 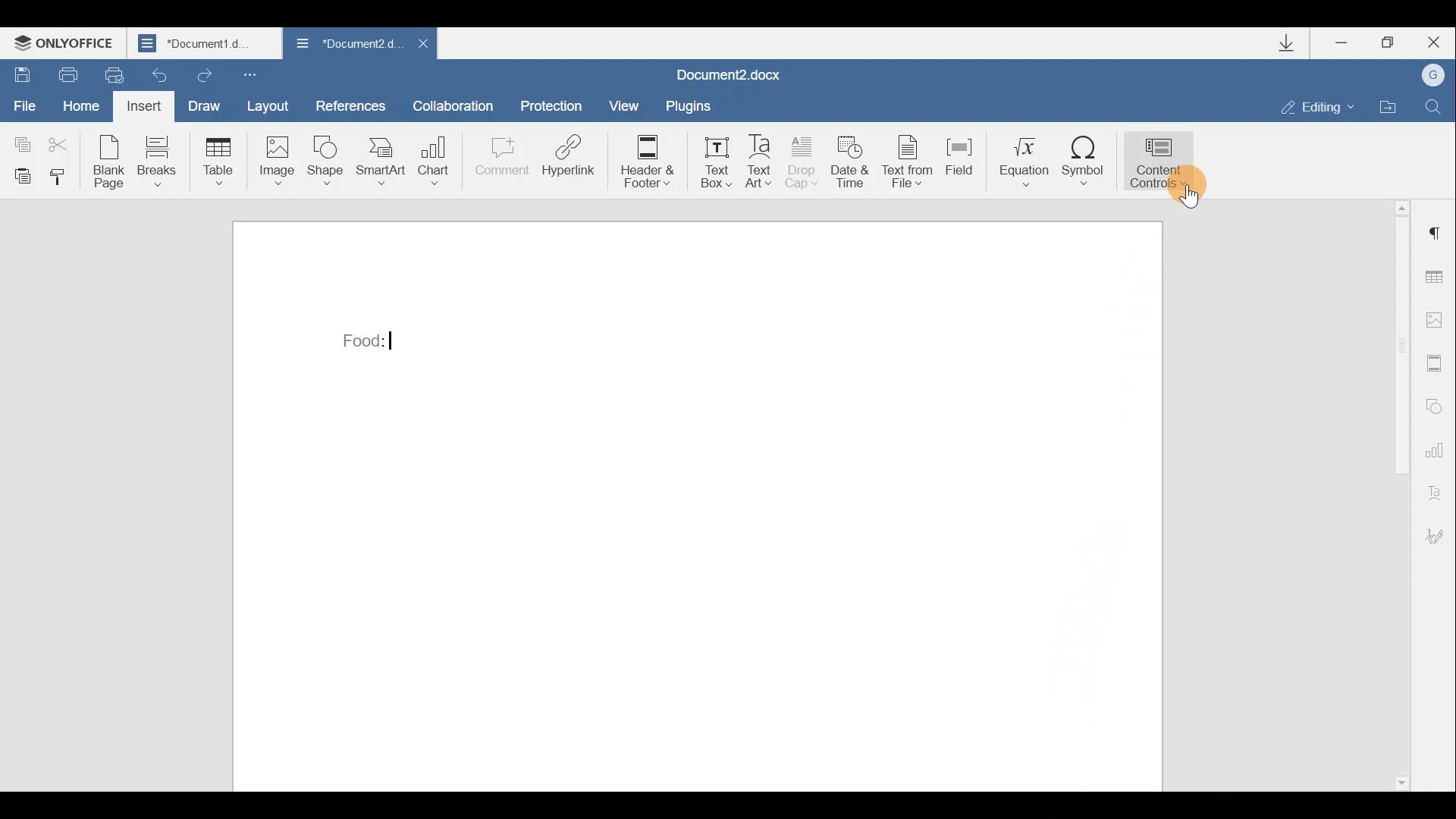 I want to click on Copy, so click(x=21, y=141).